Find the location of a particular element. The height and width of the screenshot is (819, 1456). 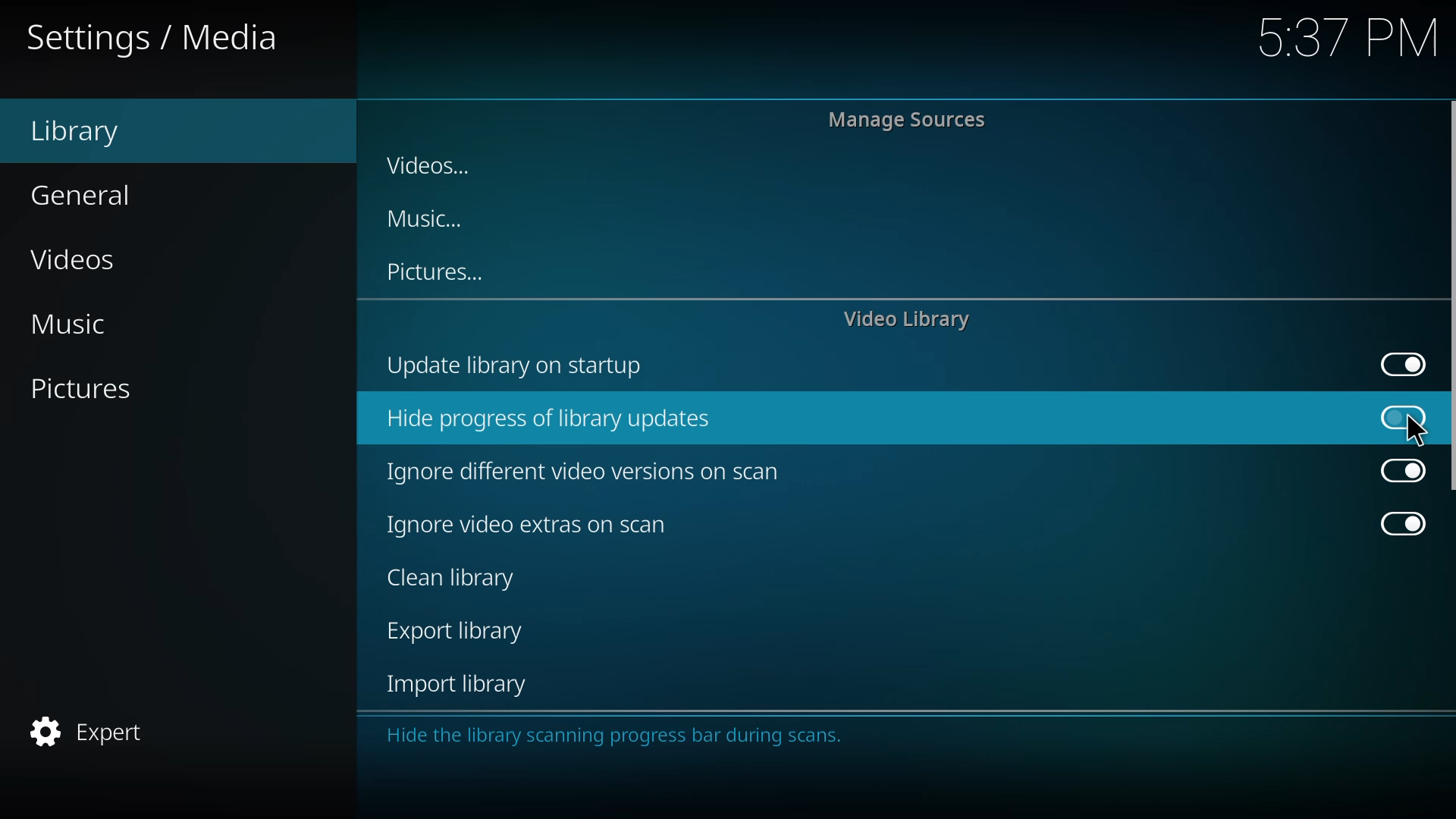

import library is located at coordinates (461, 685).